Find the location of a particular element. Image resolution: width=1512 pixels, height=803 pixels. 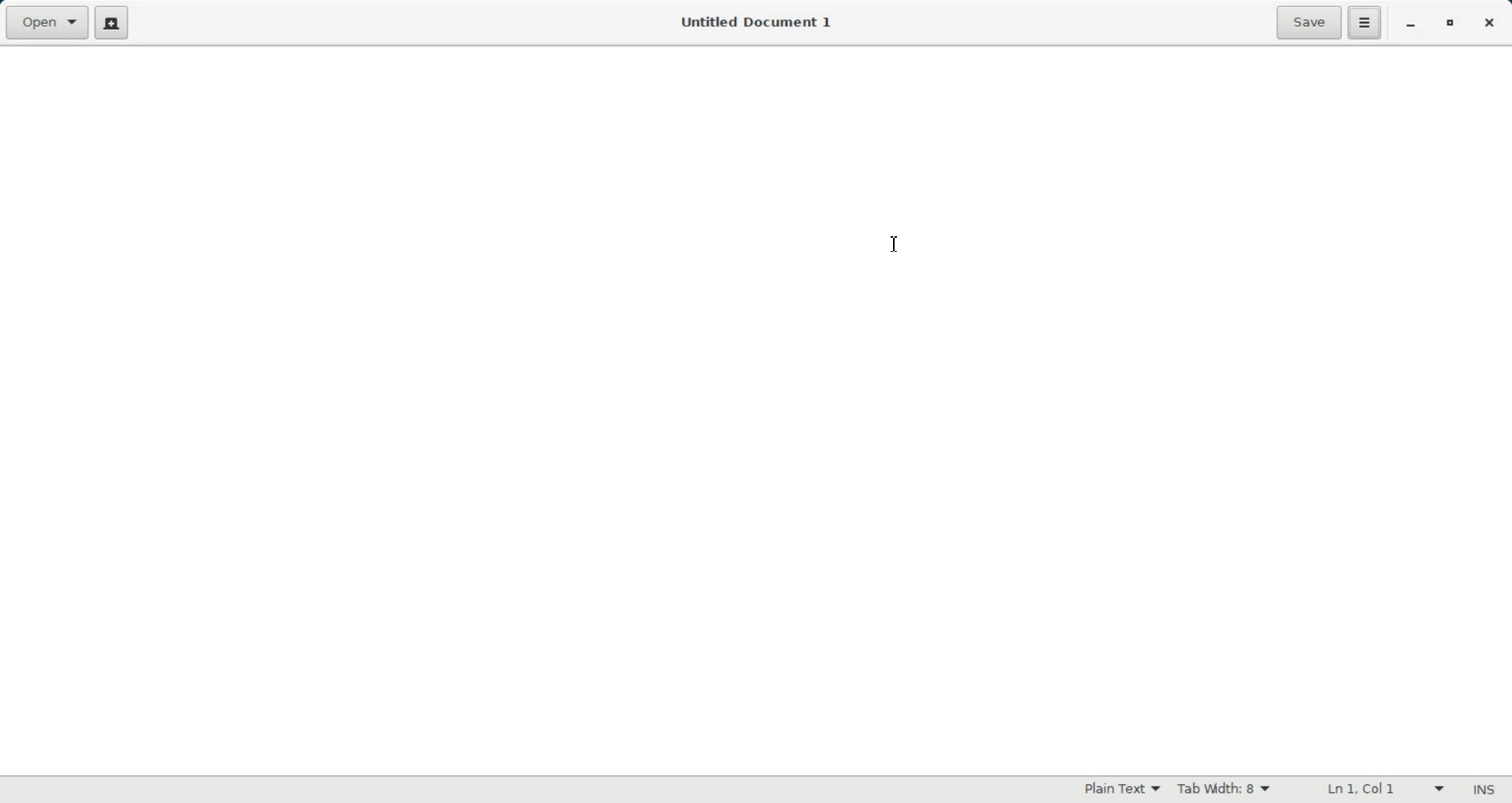

Plain Text is located at coordinates (1121, 788).